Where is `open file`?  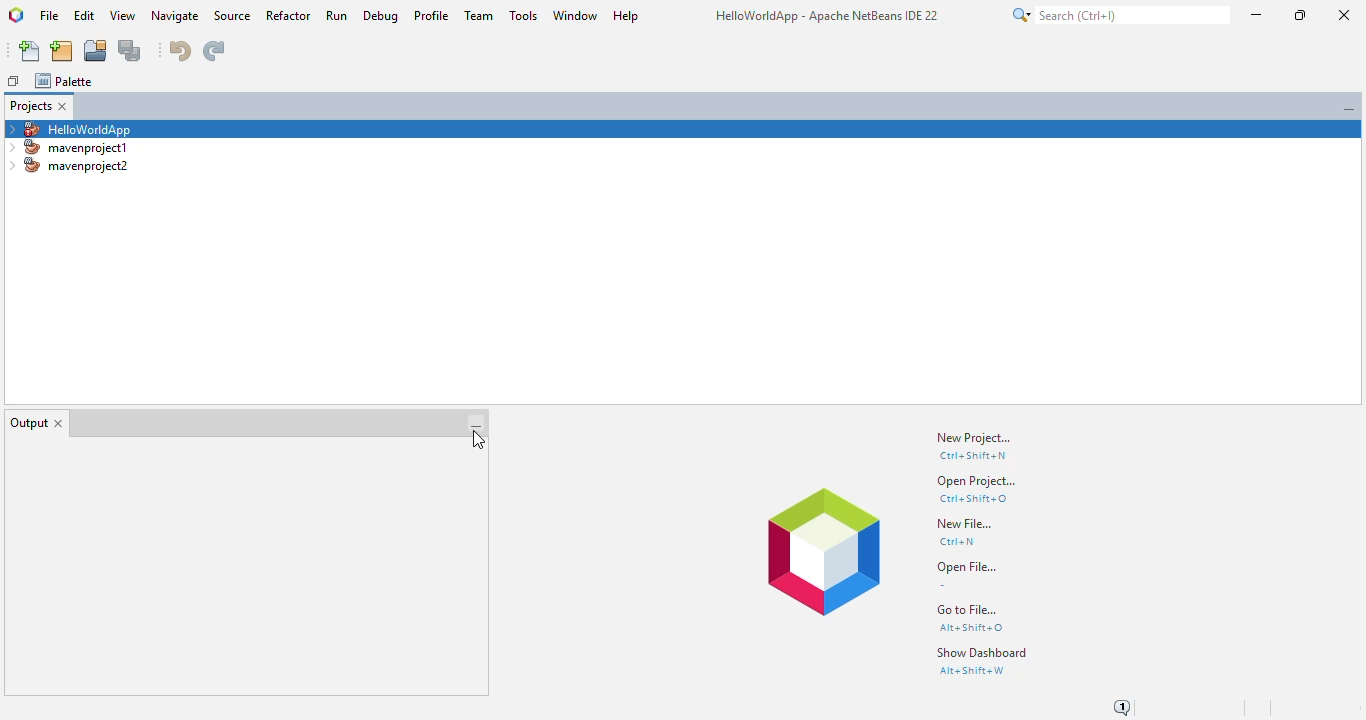 open file is located at coordinates (967, 567).